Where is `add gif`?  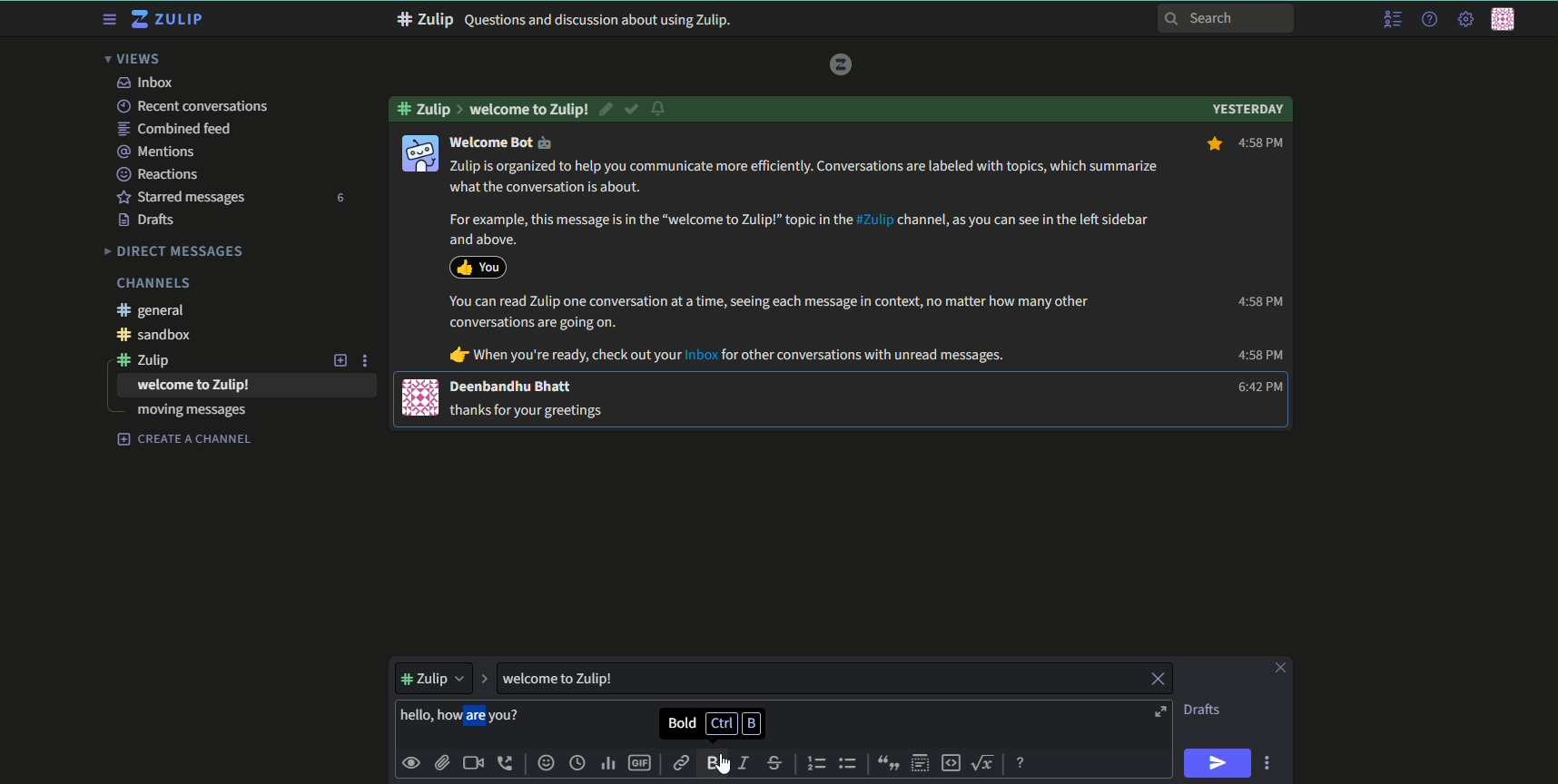
add gif is located at coordinates (642, 765).